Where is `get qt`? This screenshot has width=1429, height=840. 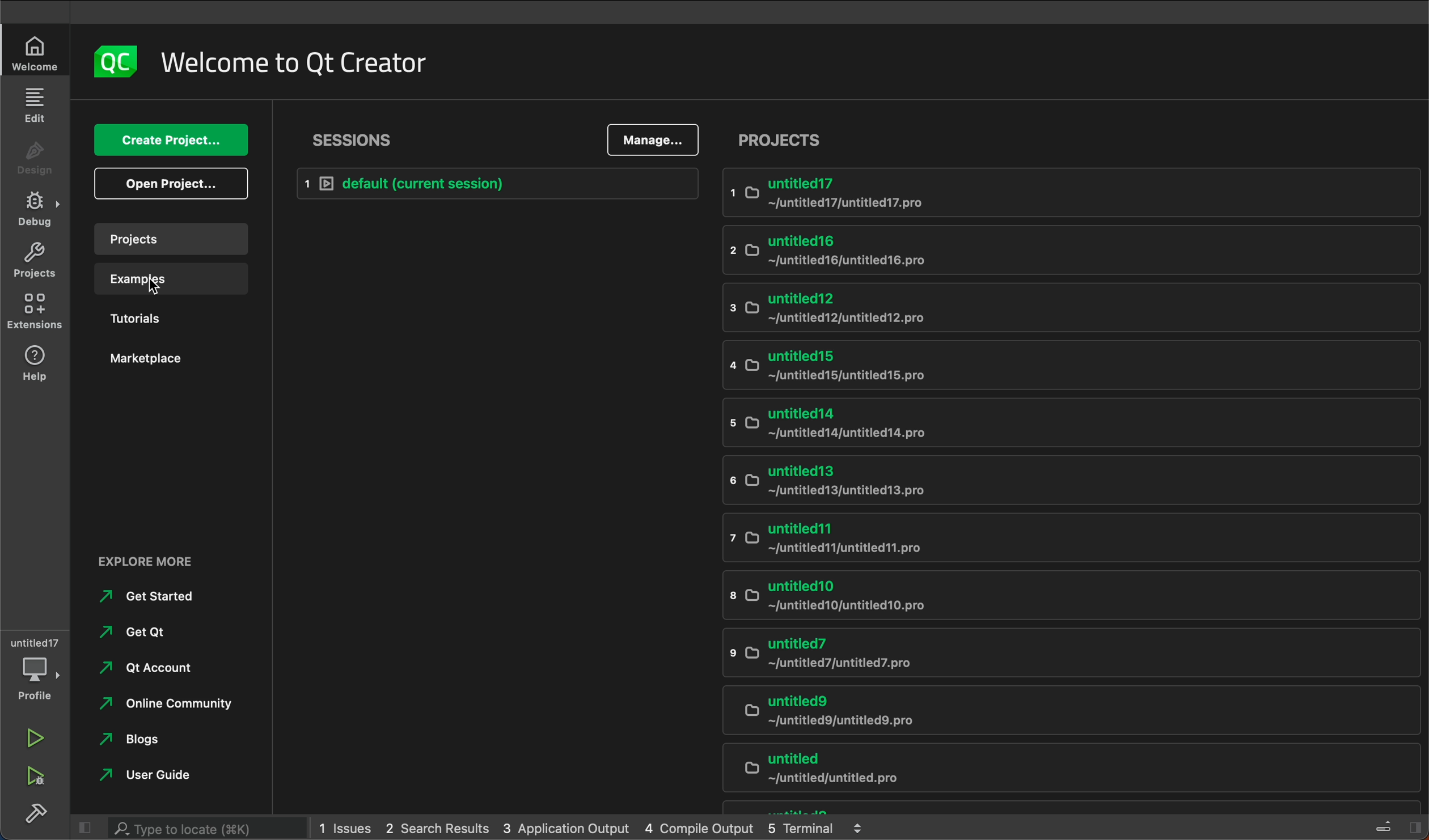 get qt is located at coordinates (151, 634).